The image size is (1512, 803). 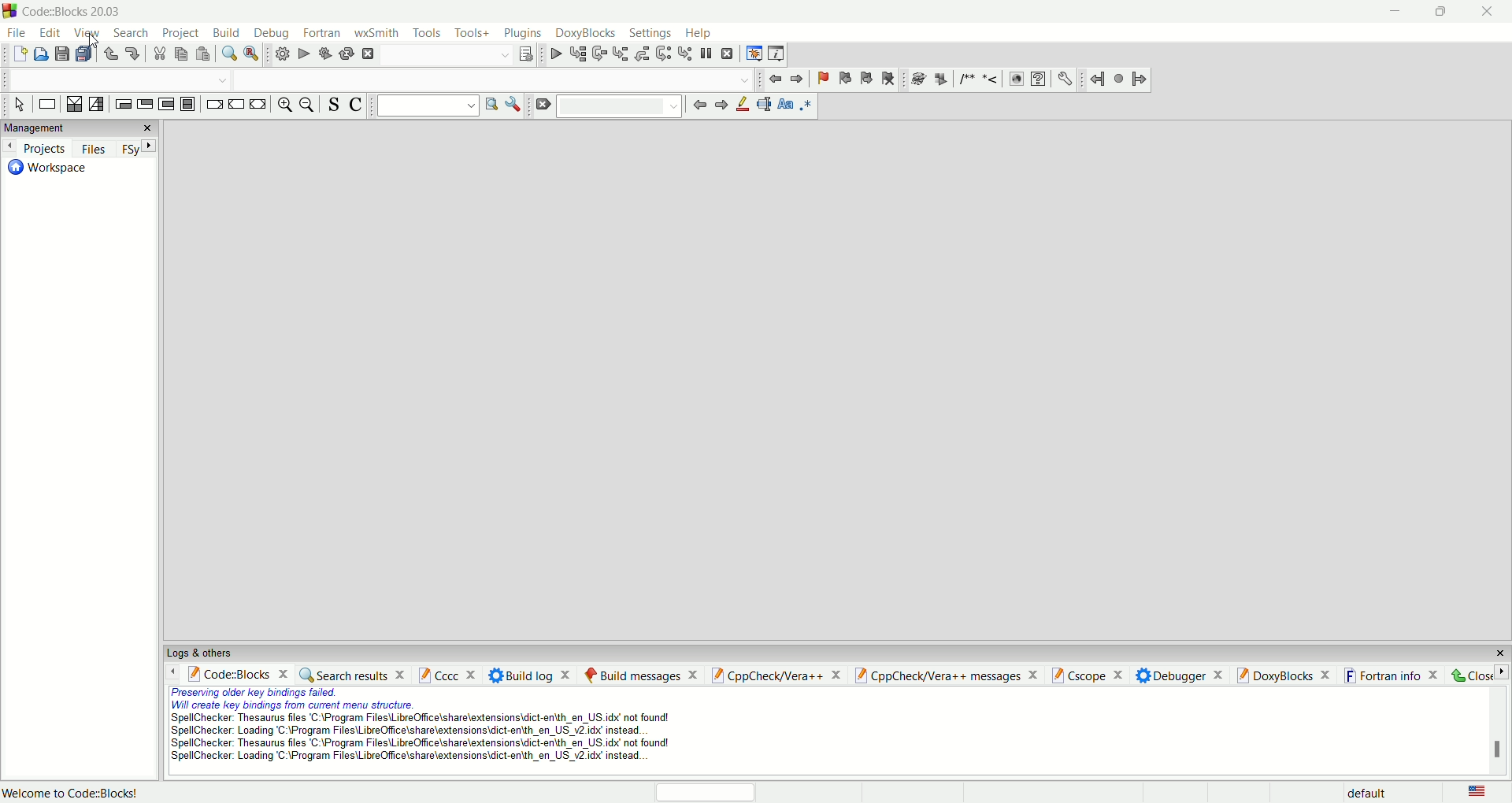 What do you see at coordinates (16, 32) in the screenshot?
I see `file` at bounding box center [16, 32].